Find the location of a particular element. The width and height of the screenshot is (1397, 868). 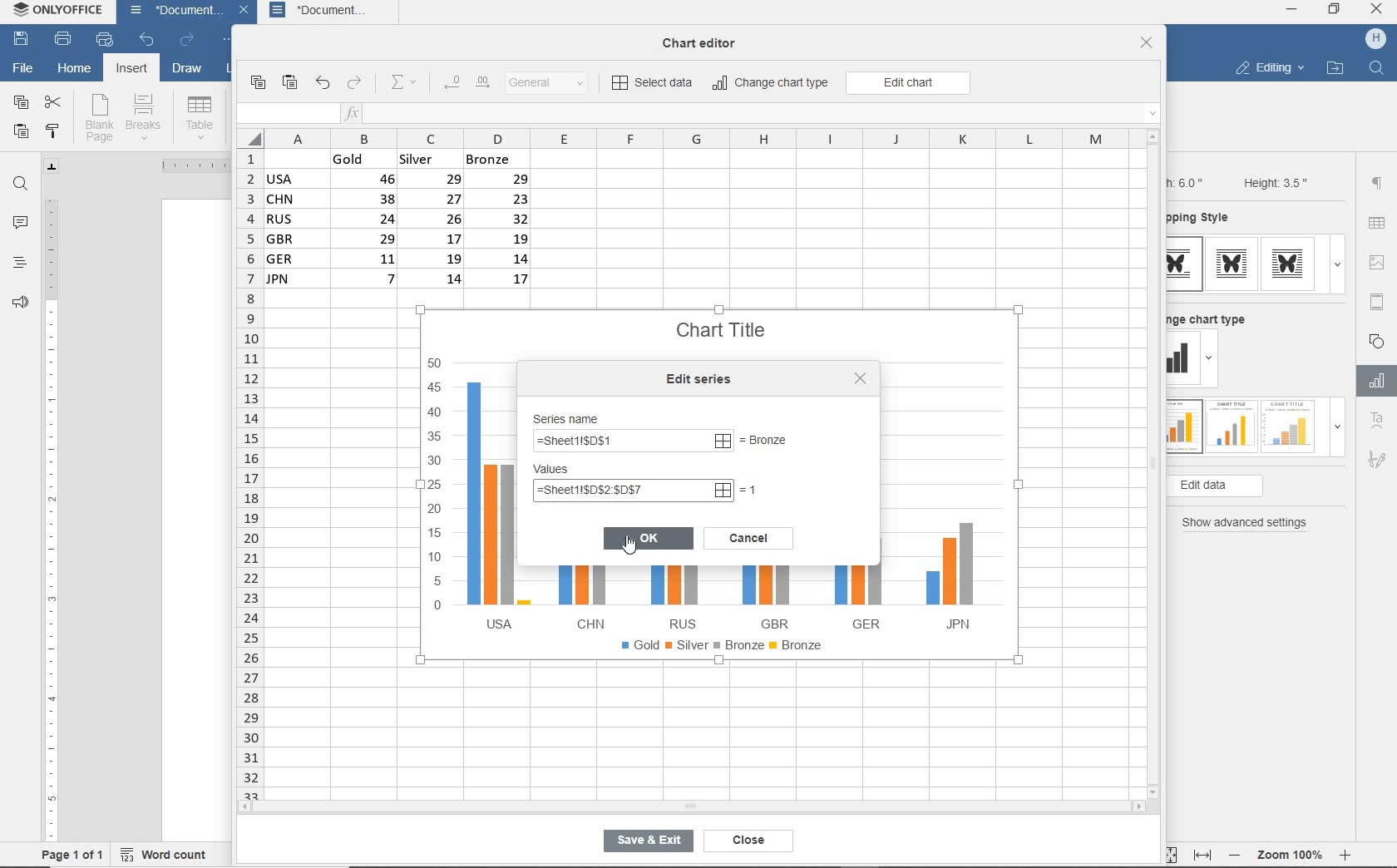

copy style is located at coordinates (54, 131).